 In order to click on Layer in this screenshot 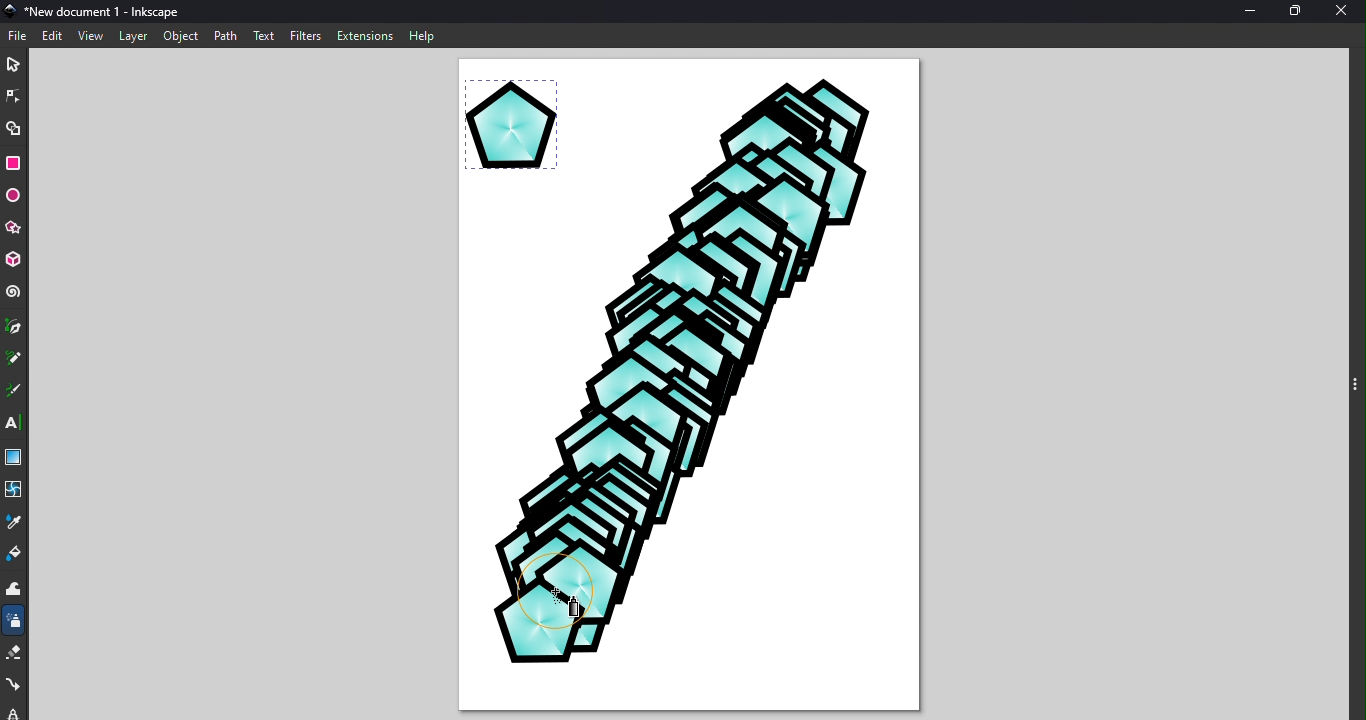, I will do `click(132, 35)`.